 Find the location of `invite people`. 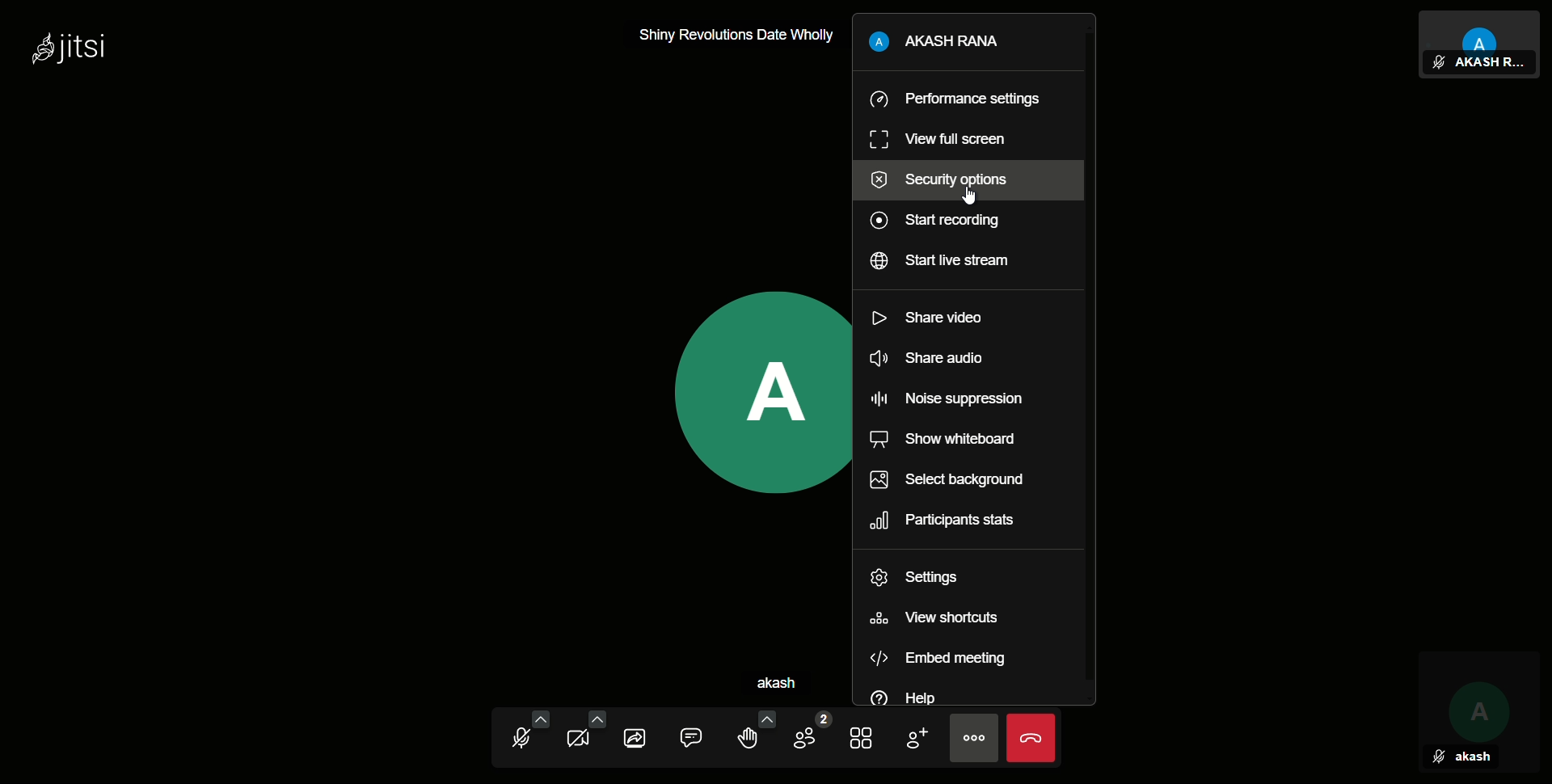

invite people is located at coordinates (916, 735).